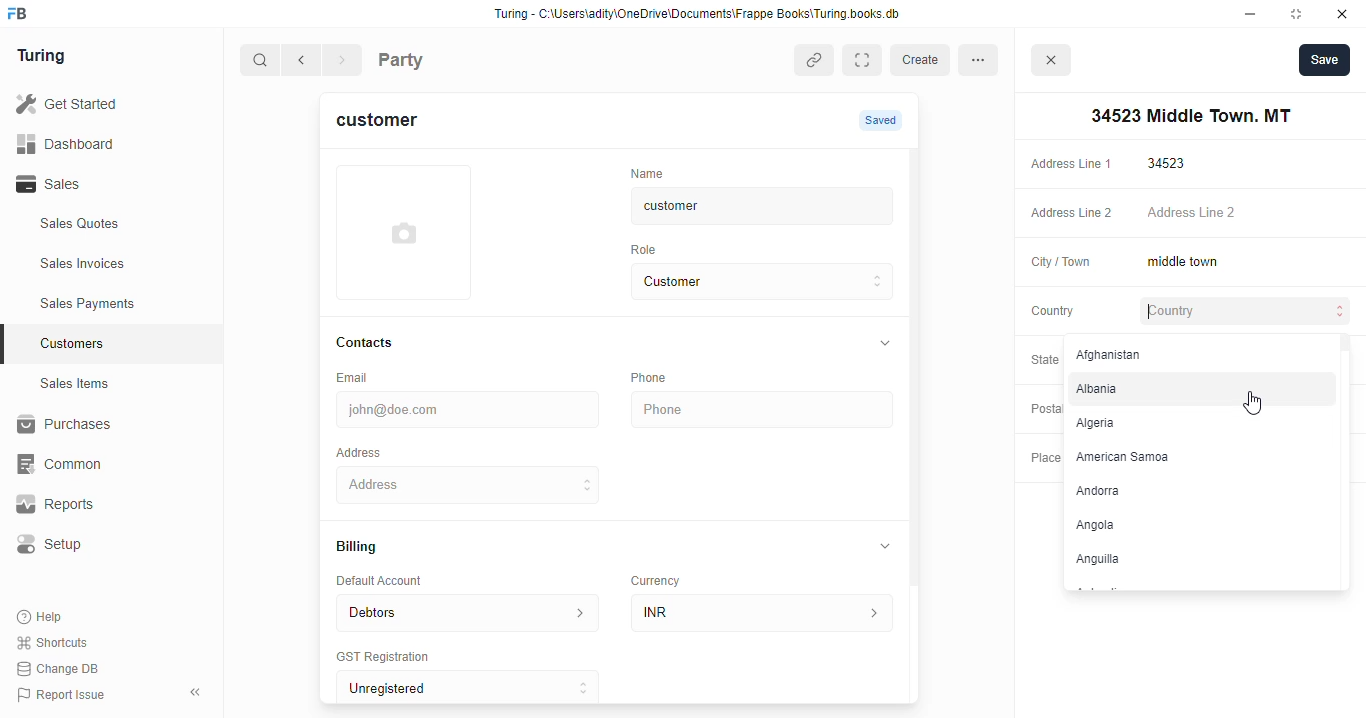 The image size is (1366, 718). What do you see at coordinates (117, 264) in the screenshot?
I see `Sales Invoices` at bounding box center [117, 264].